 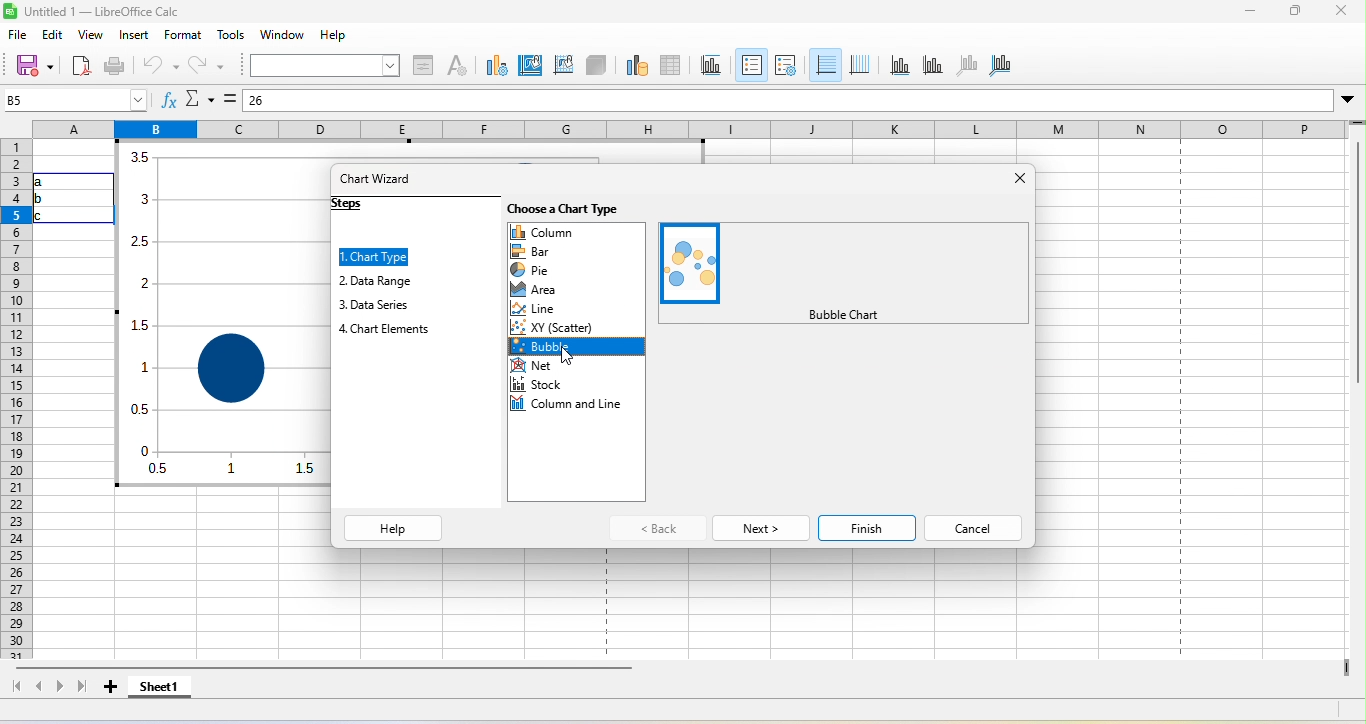 What do you see at coordinates (290, 102) in the screenshot?
I see `26` at bounding box center [290, 102].